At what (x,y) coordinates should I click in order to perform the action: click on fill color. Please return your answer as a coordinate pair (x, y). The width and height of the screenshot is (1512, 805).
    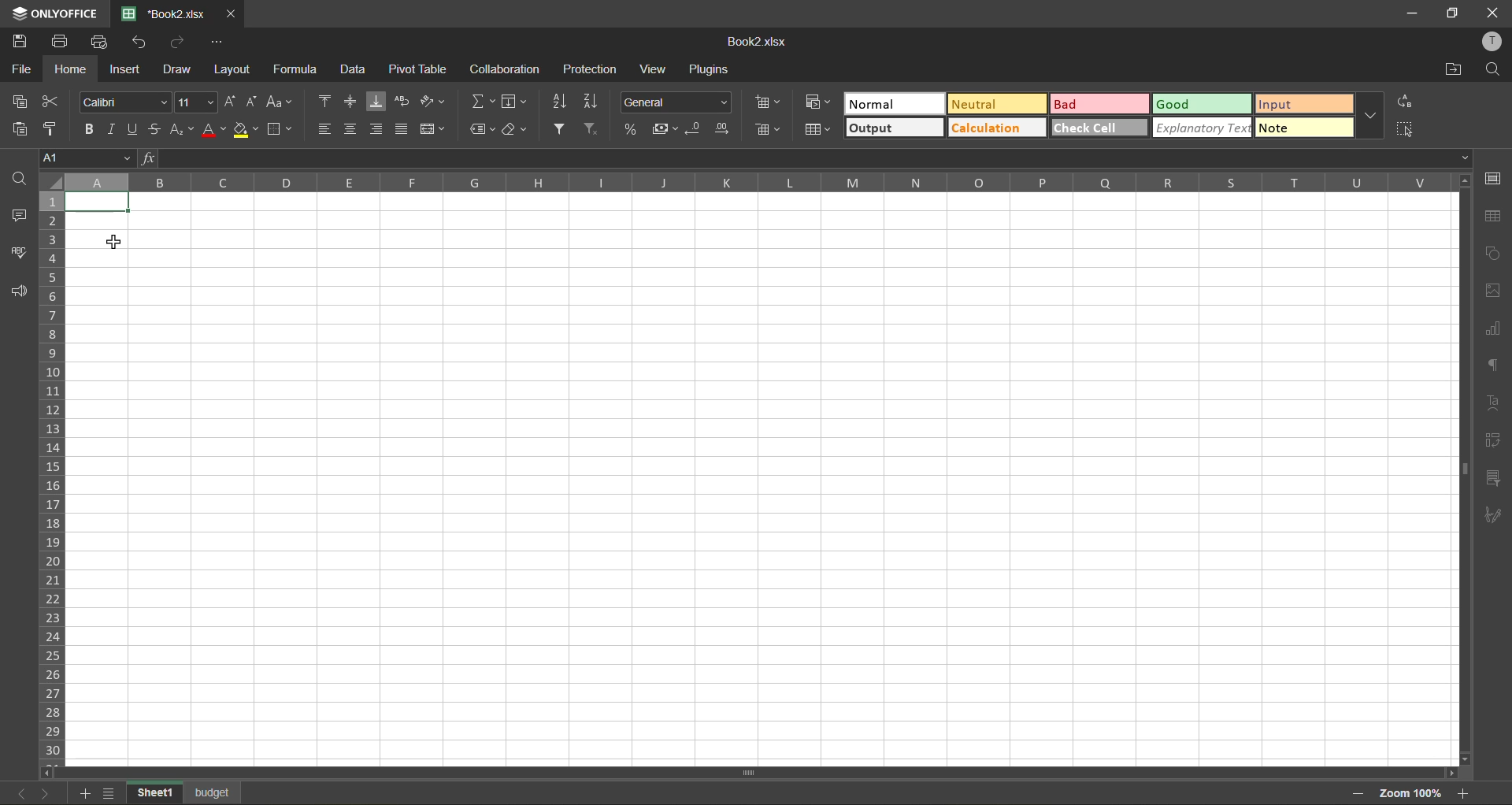
    Looking at the image, I should click on (246, 131).